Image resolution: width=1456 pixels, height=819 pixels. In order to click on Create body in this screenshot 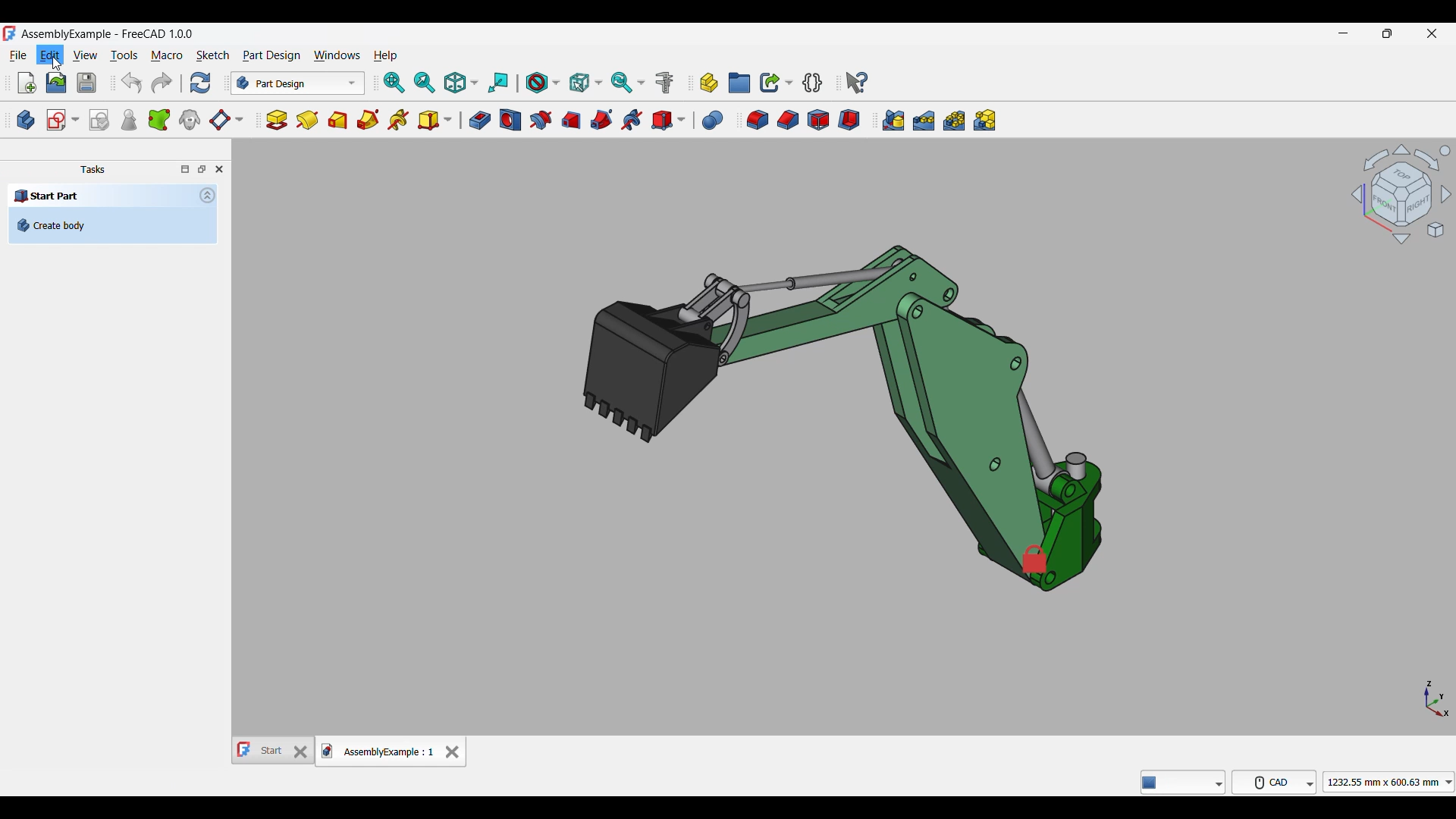, I will do `click(113, 225)`.